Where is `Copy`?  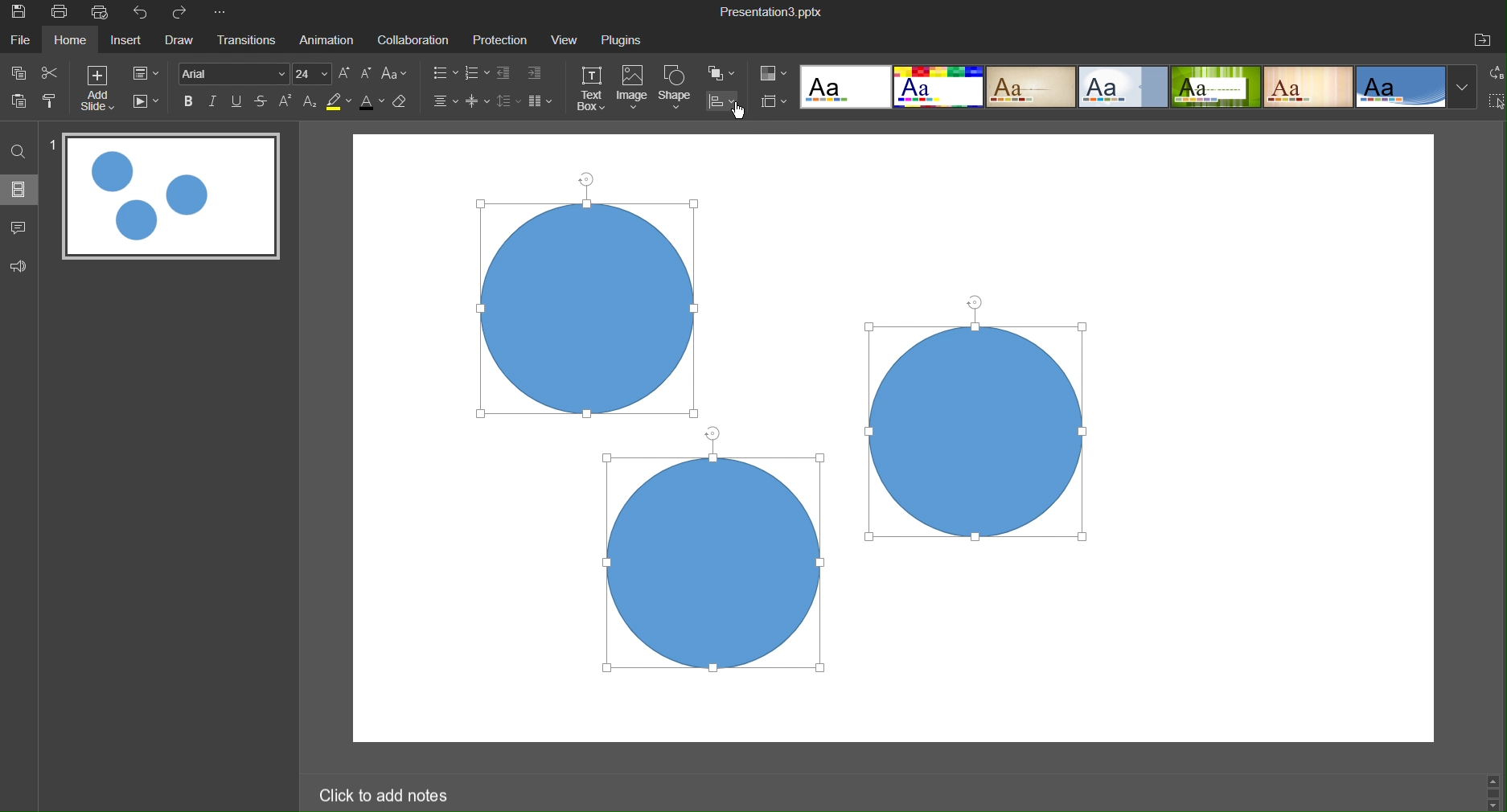 Copy is located at coordinates (18, 75).